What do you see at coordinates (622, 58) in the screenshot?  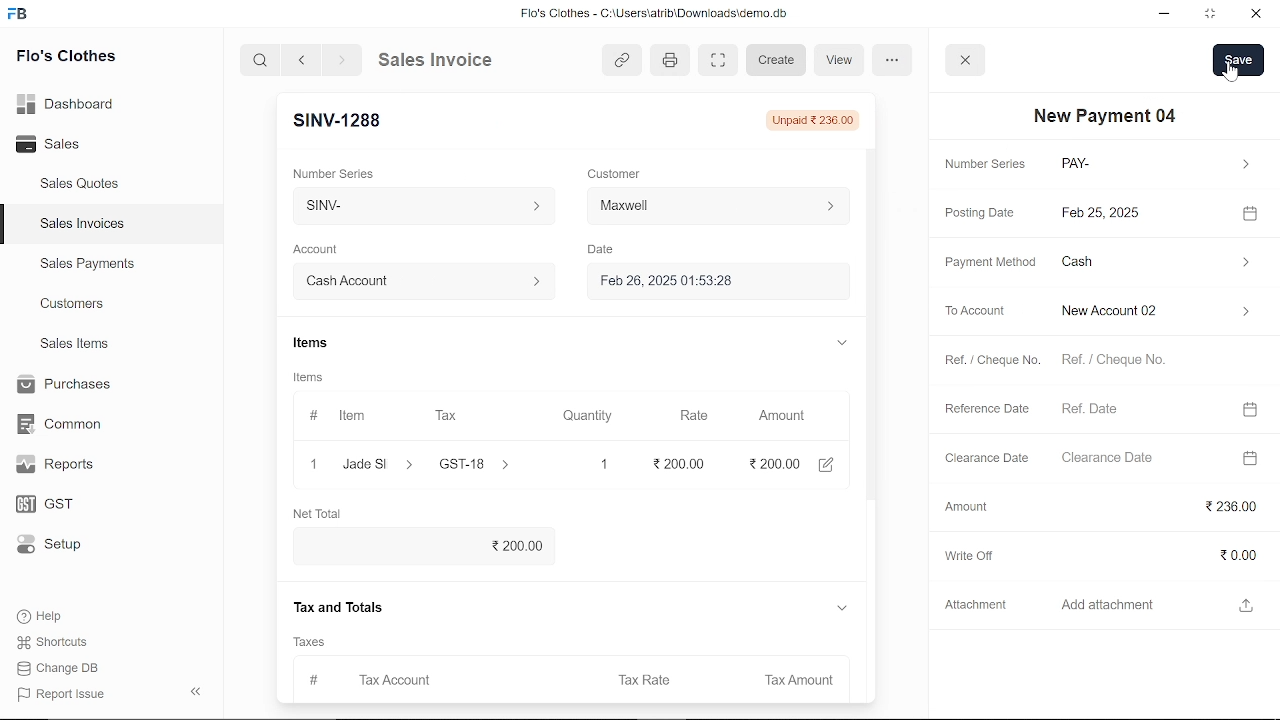 I see `link` at bounding box center [622, 58].